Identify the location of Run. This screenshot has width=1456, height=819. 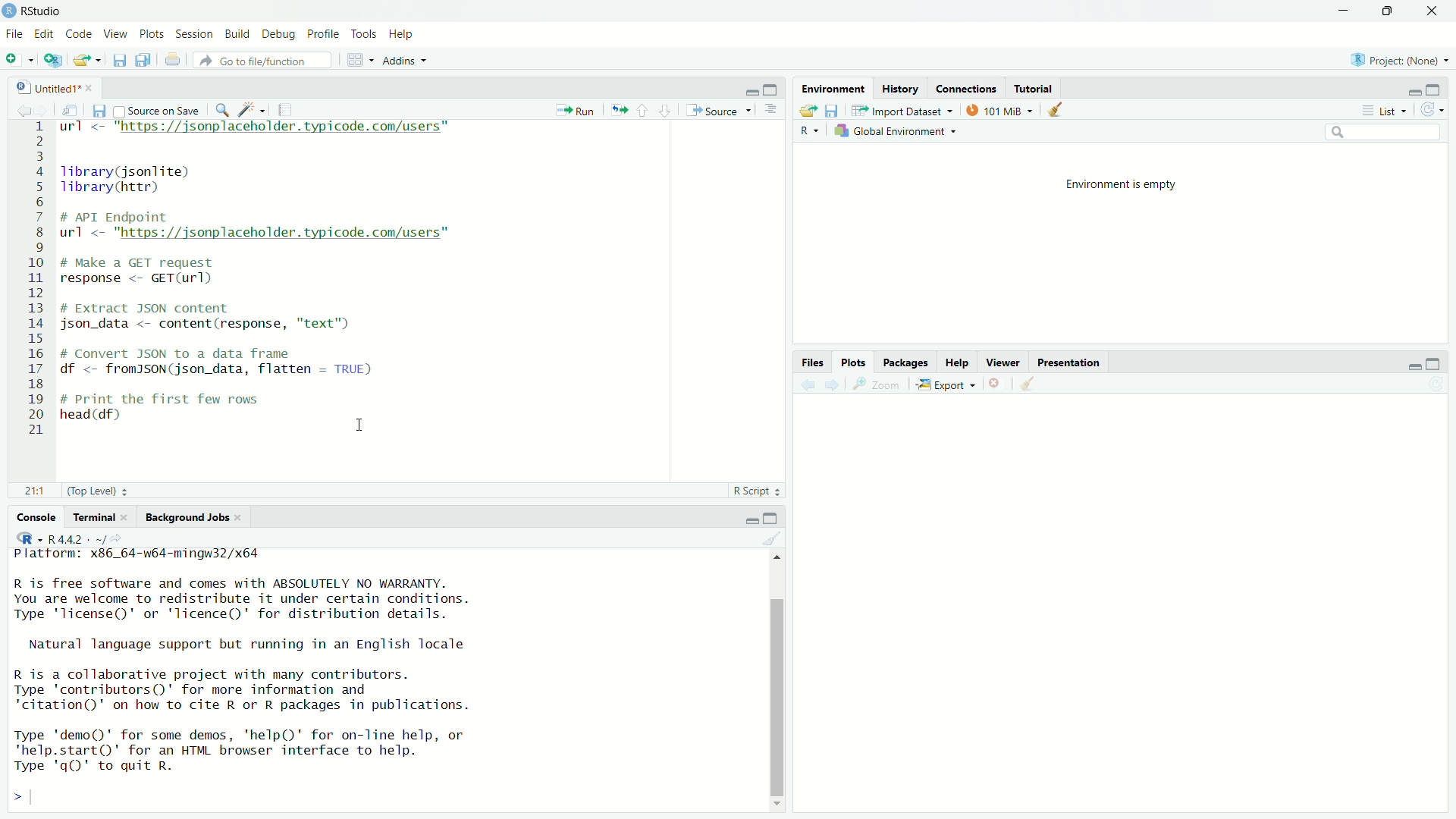
(576, 108).